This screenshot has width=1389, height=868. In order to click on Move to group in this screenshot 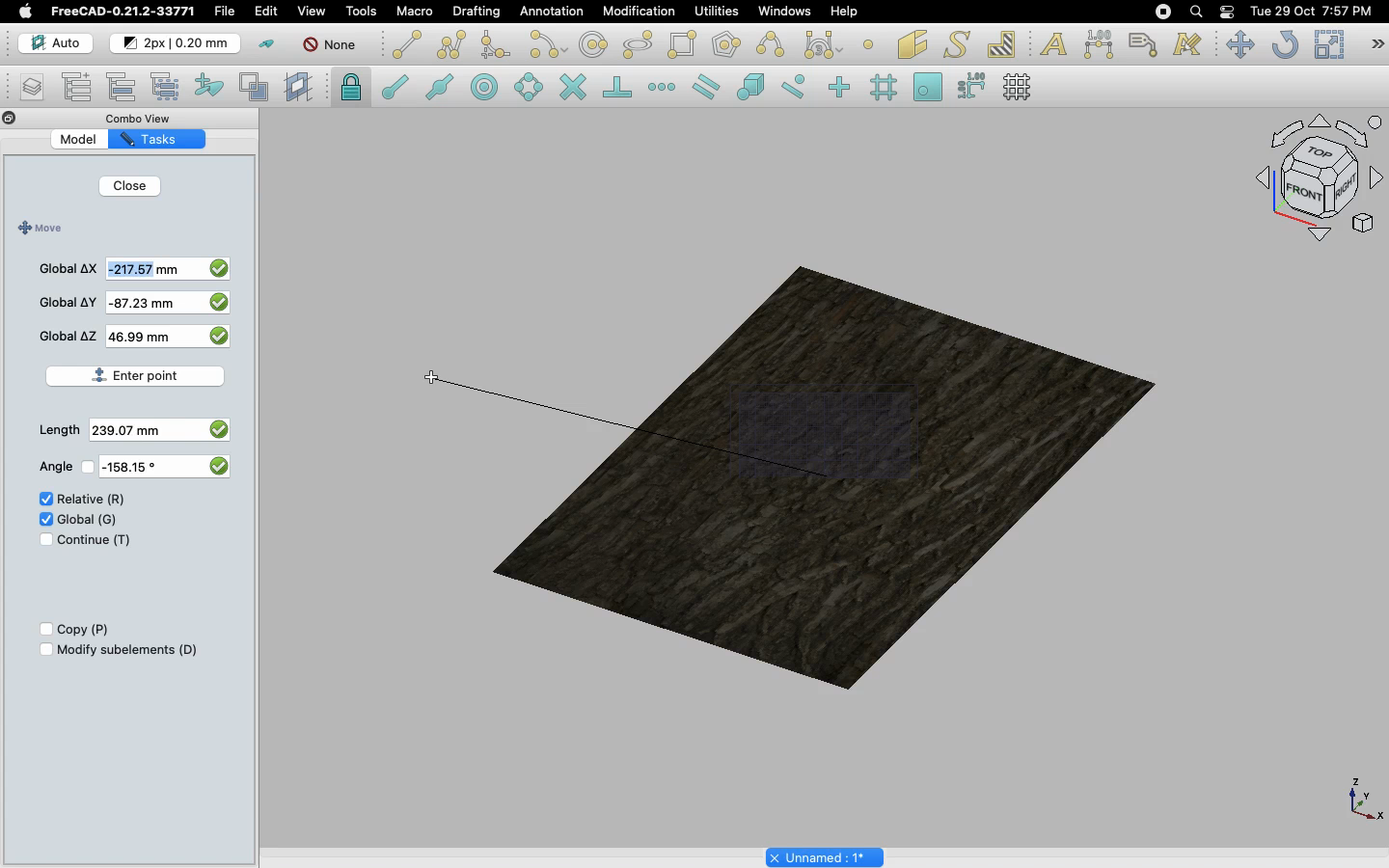, I will do `click(124, 87)`.